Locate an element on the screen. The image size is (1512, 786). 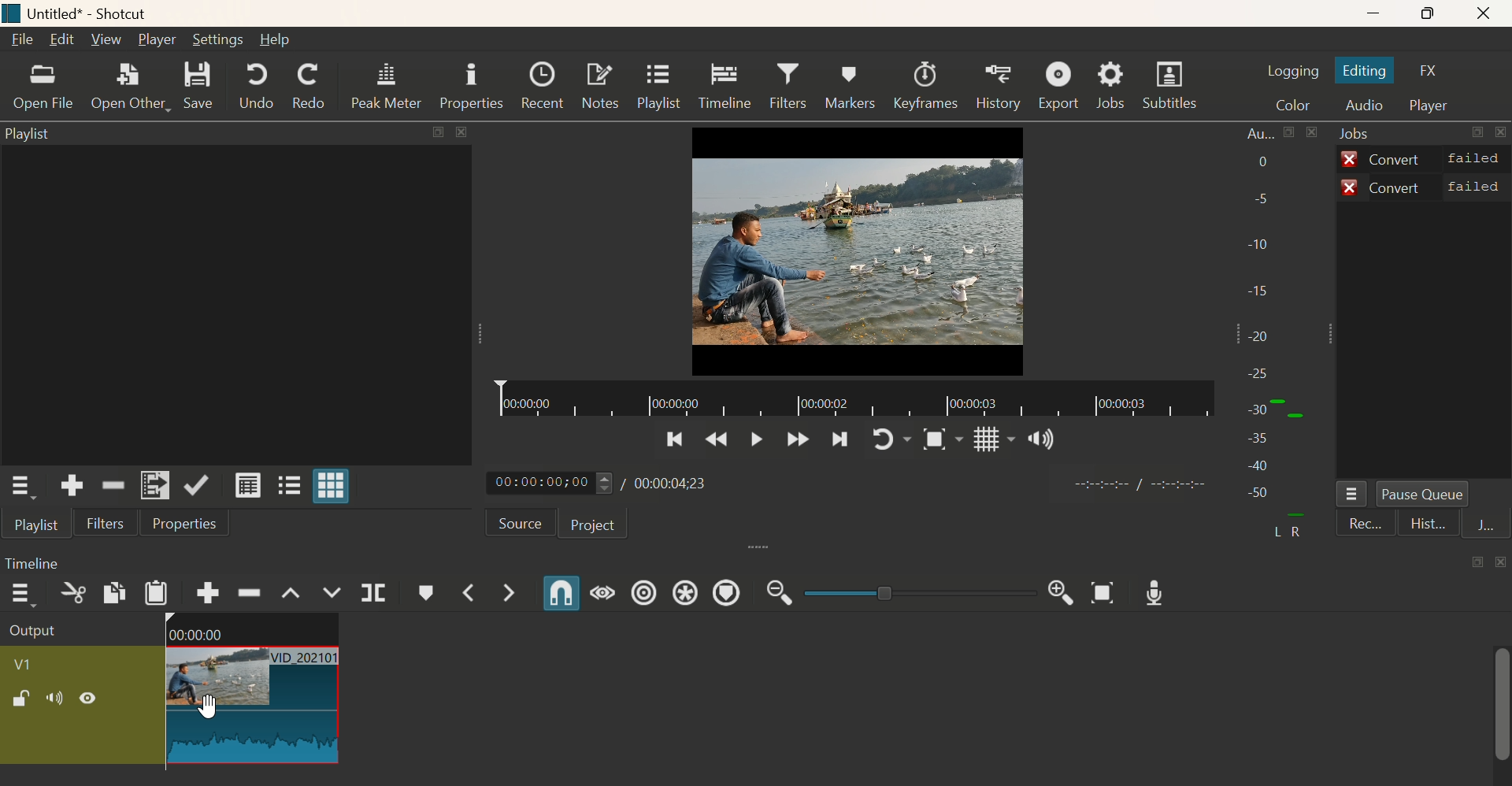
 is located at coordinates (1423, 529).